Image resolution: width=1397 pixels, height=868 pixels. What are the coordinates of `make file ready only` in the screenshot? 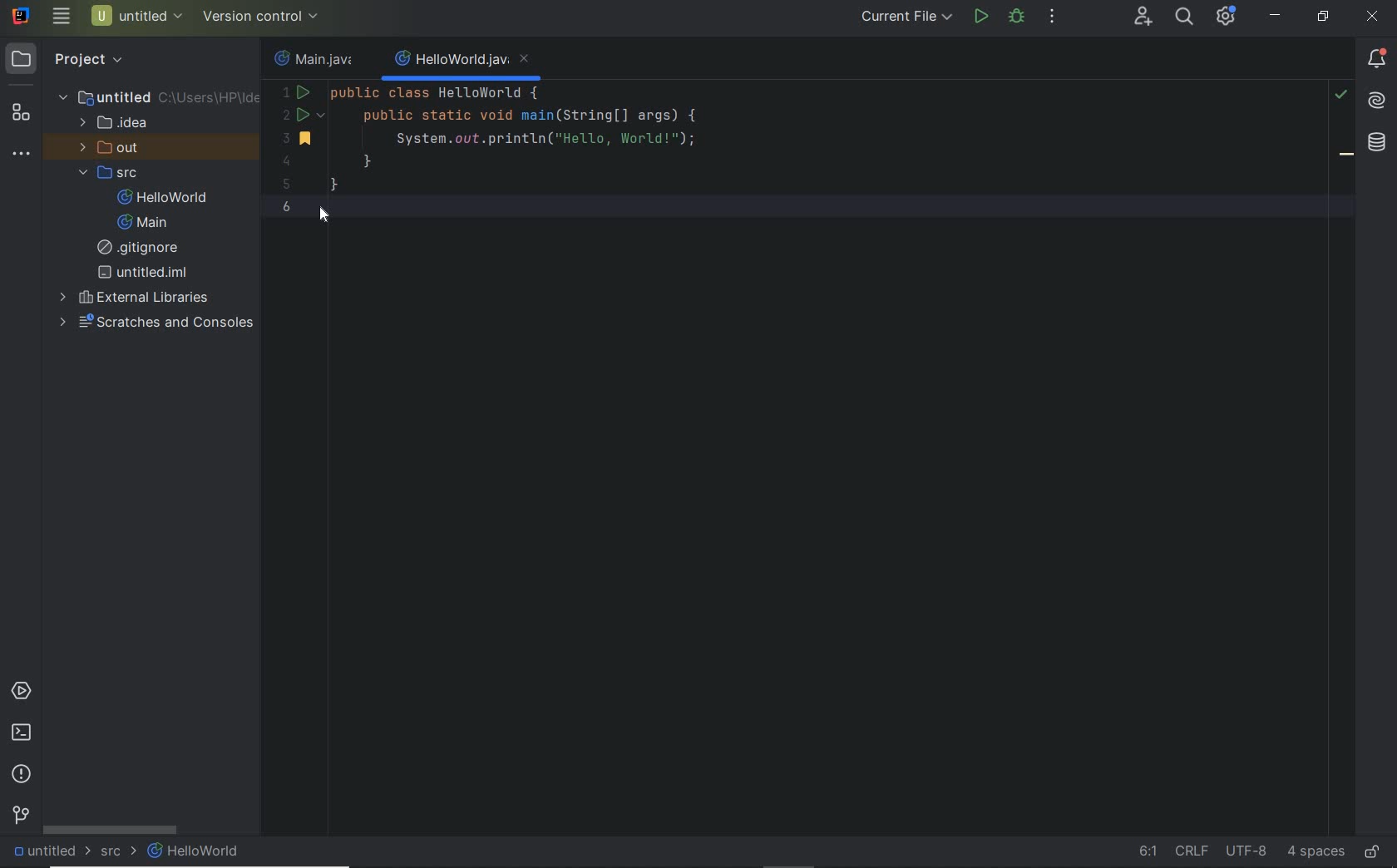 It's located at (1375, 853).